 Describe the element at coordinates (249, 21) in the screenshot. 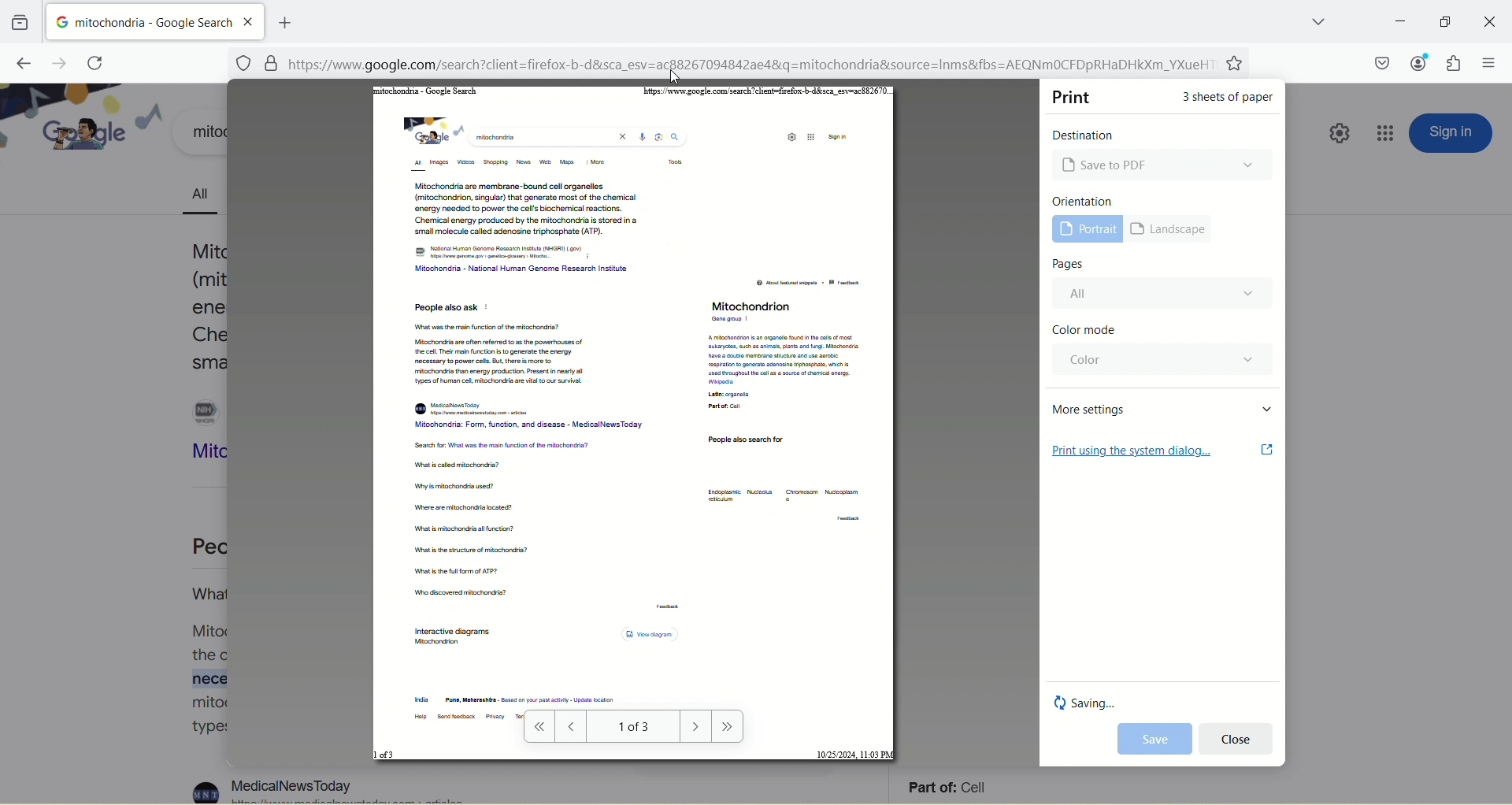

I see `close tab` at that location.